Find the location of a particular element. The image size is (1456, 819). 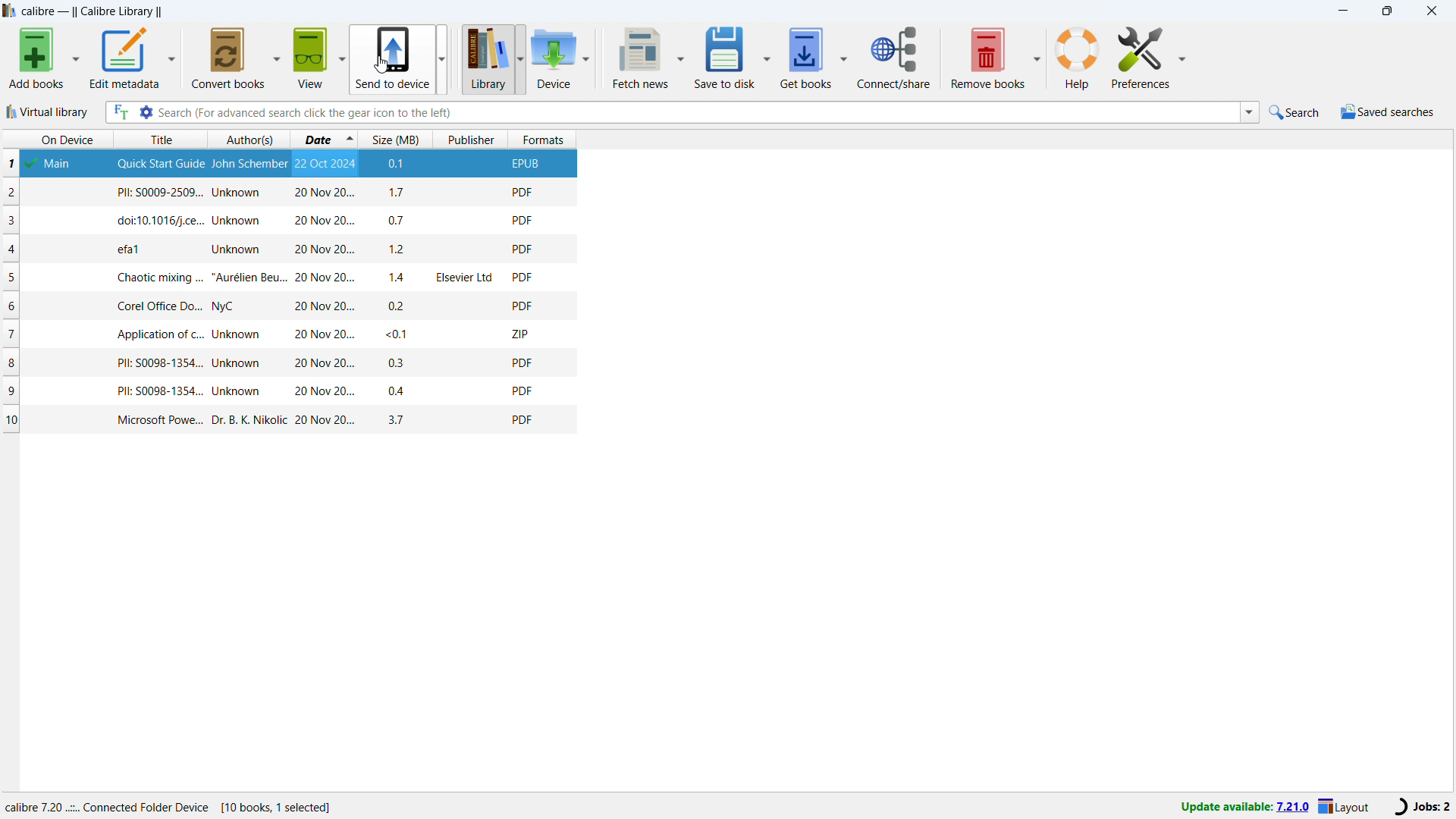

enter search string is located at coordinates (698, 112).